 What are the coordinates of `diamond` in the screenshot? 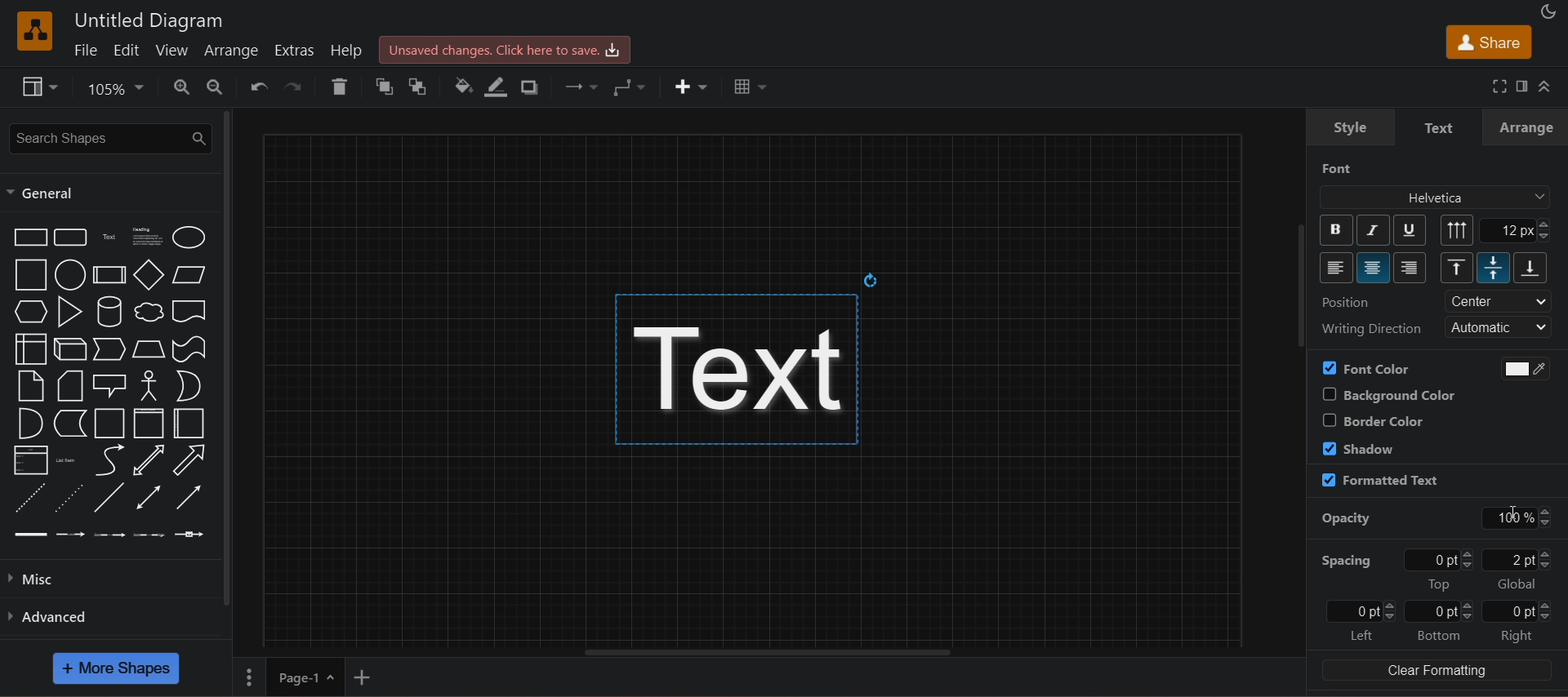 It's located at (149, 275).